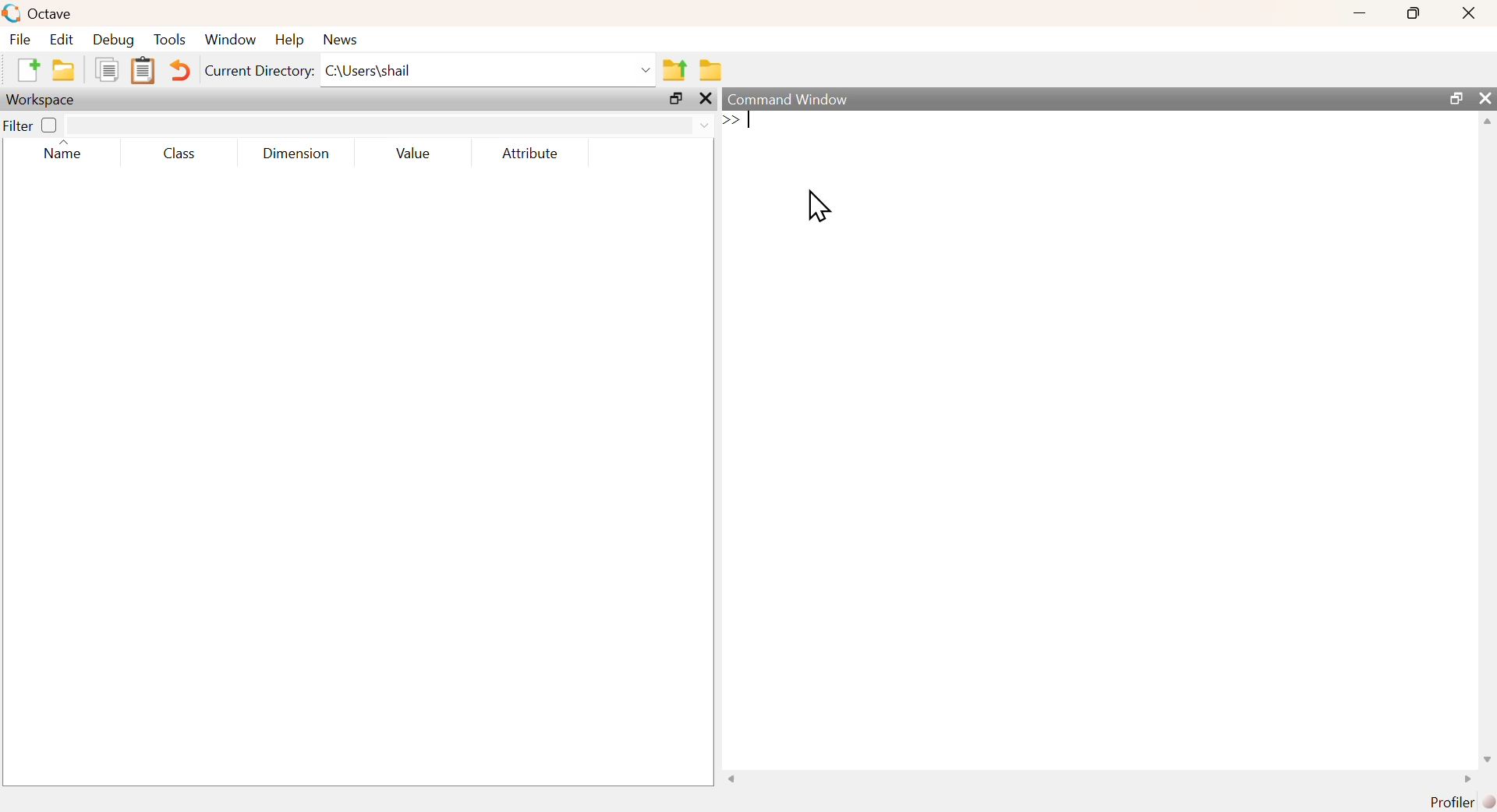 This screenshot has height=812, width=1497. Describe the element at coordinates (1471, 13) in the screenshot. I see `close` at that location.